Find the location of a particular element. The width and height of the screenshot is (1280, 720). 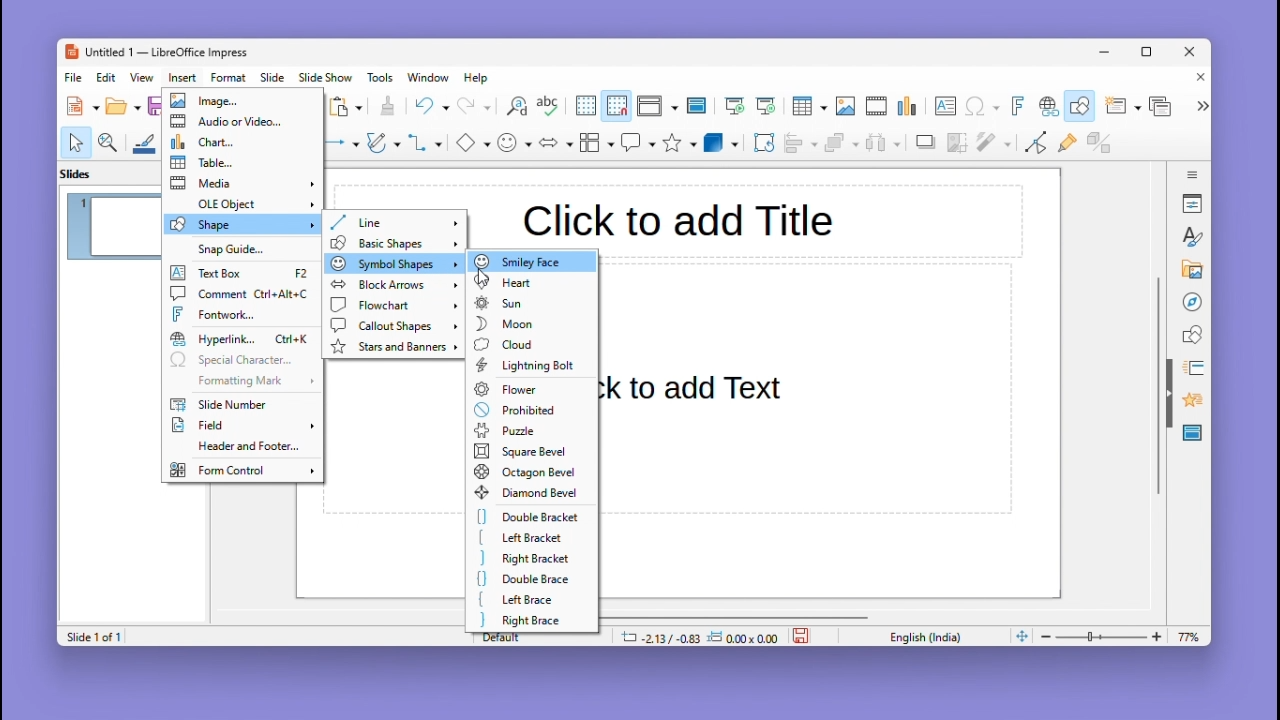

heart is located at coordinates (530, 281).